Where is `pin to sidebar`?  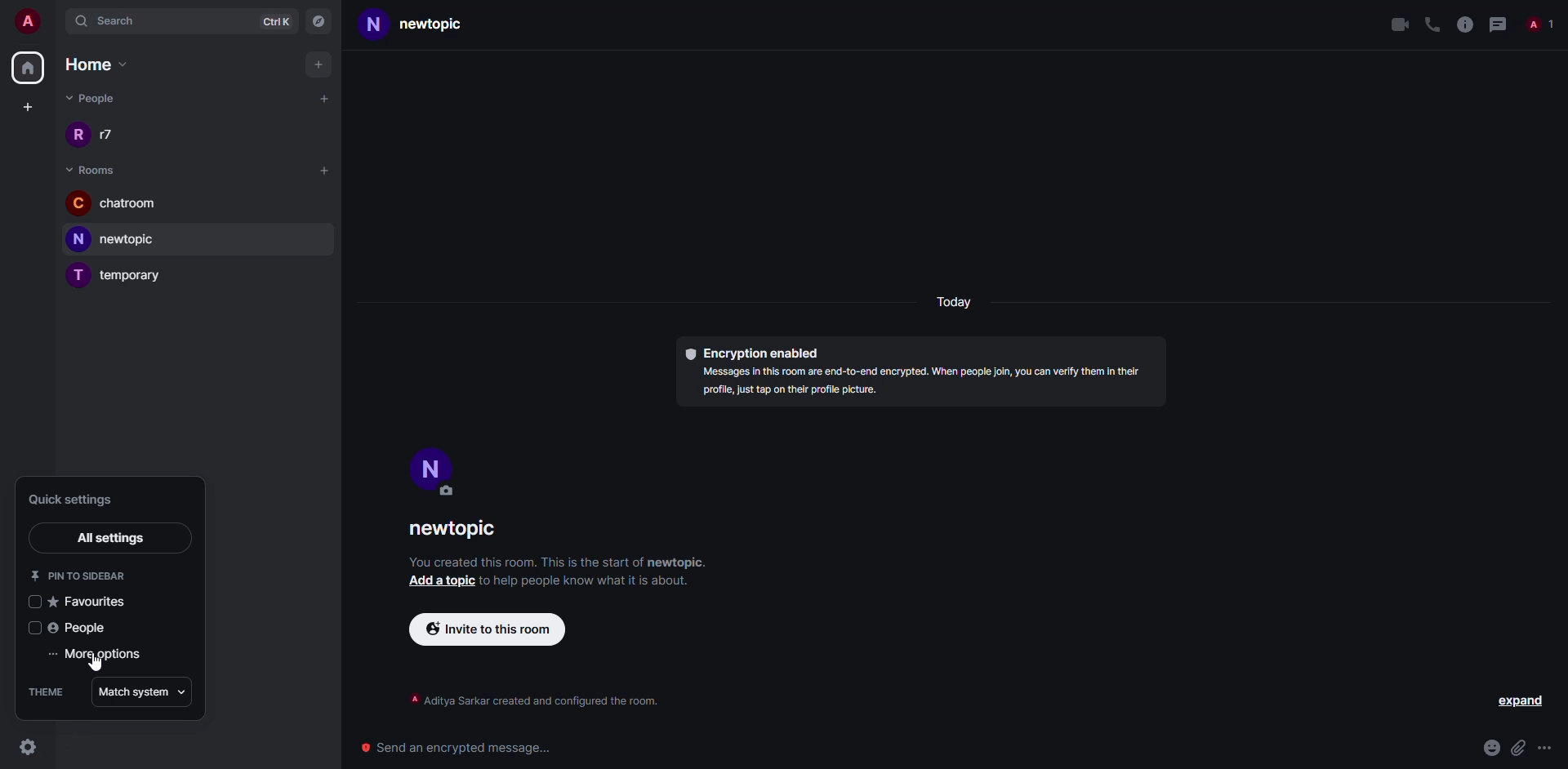 pin to sidebar is located at coordinates (84, 576).